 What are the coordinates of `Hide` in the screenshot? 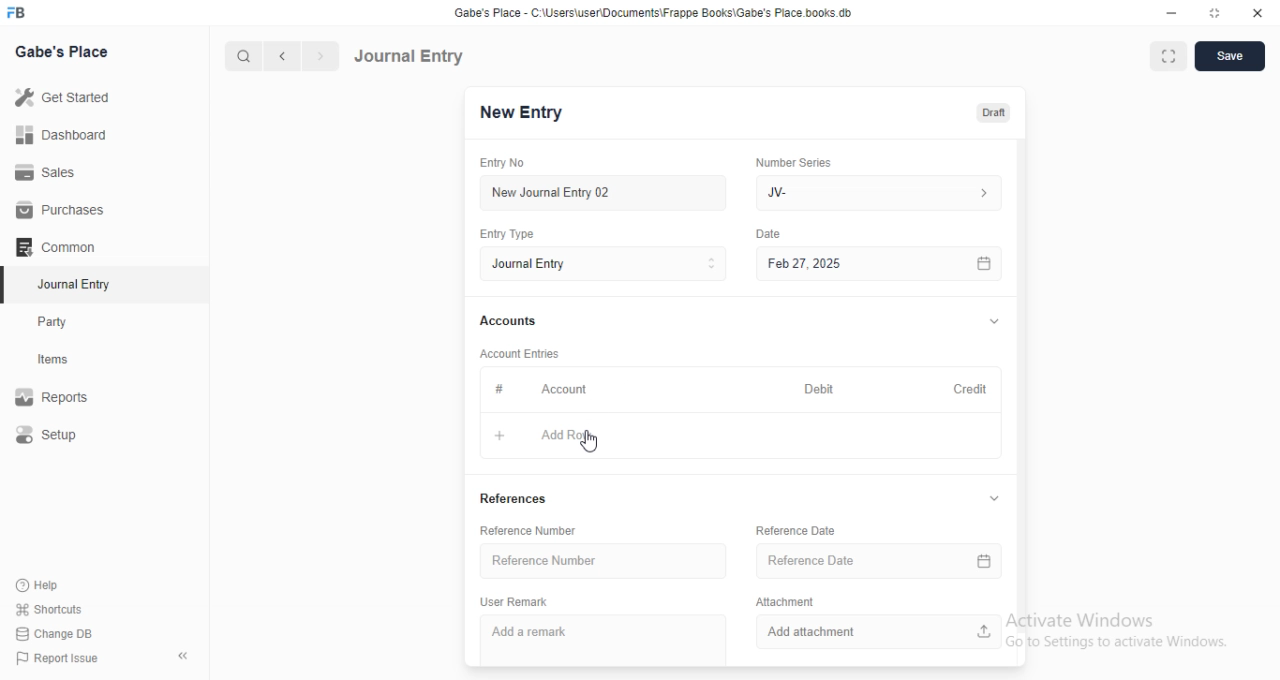 It's located at (994, 499).